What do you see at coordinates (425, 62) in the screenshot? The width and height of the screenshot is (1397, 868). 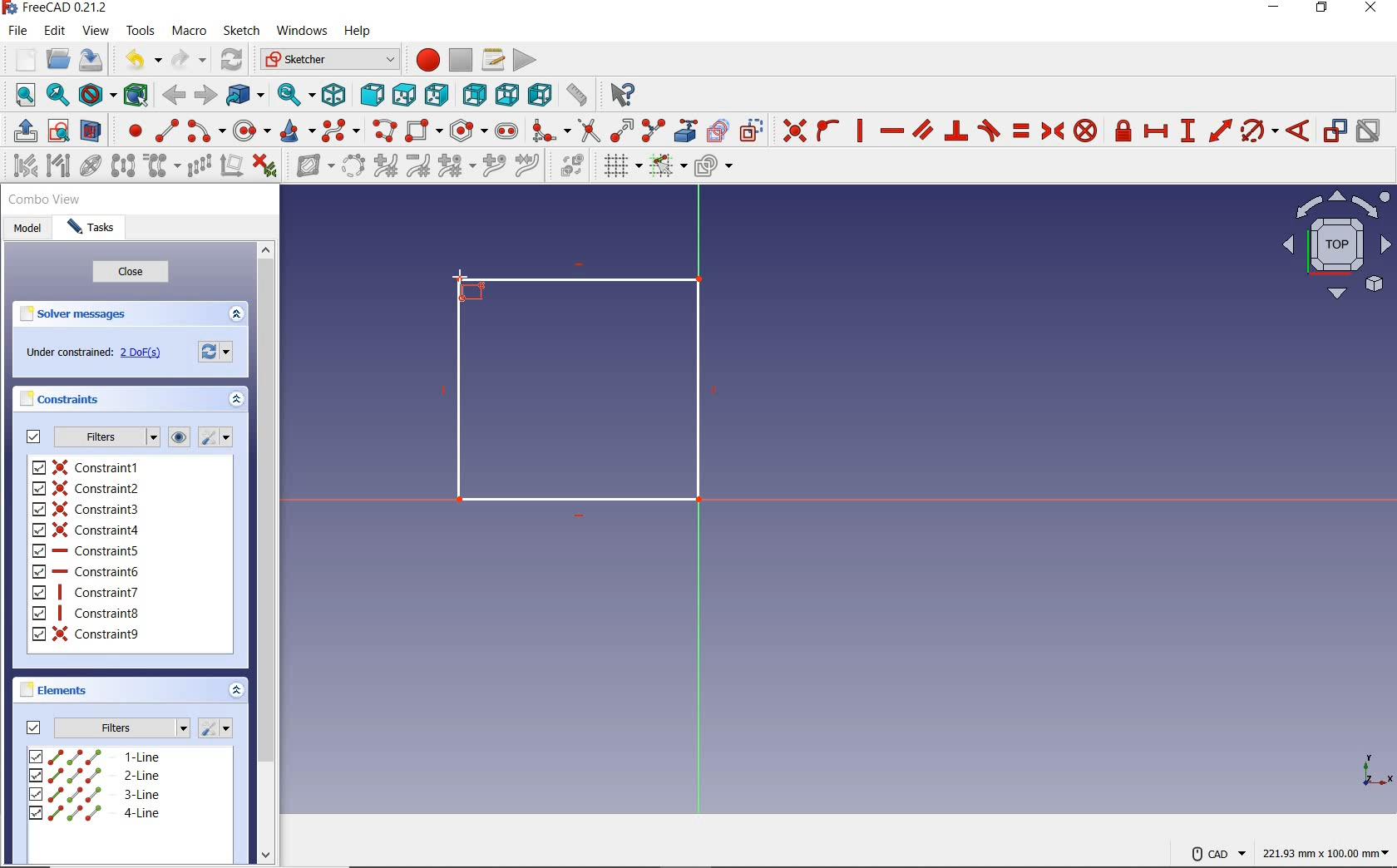 I see `macro recording` at bounding box center [425, 62].